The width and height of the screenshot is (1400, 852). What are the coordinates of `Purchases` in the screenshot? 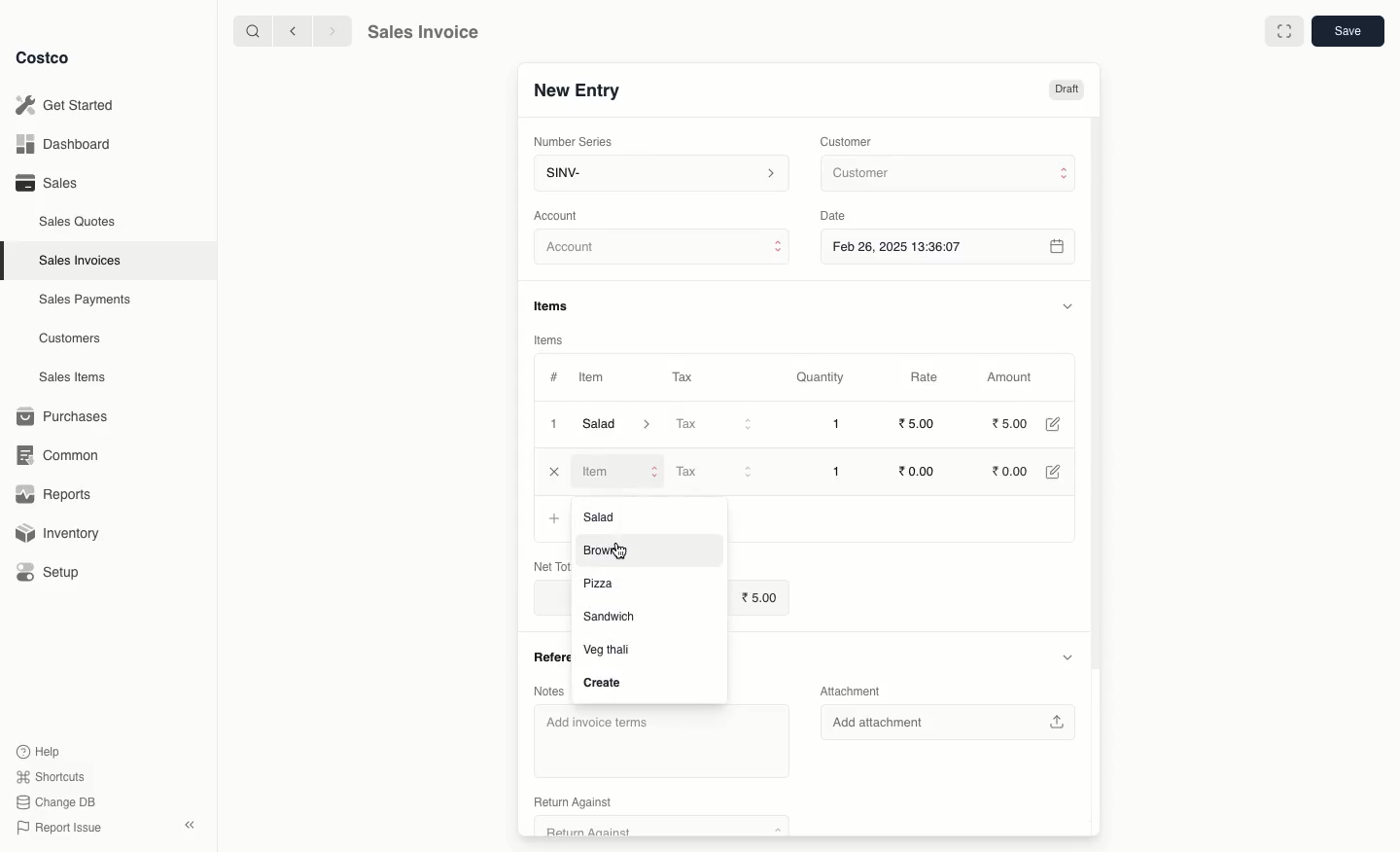 It's located at (67, 416).